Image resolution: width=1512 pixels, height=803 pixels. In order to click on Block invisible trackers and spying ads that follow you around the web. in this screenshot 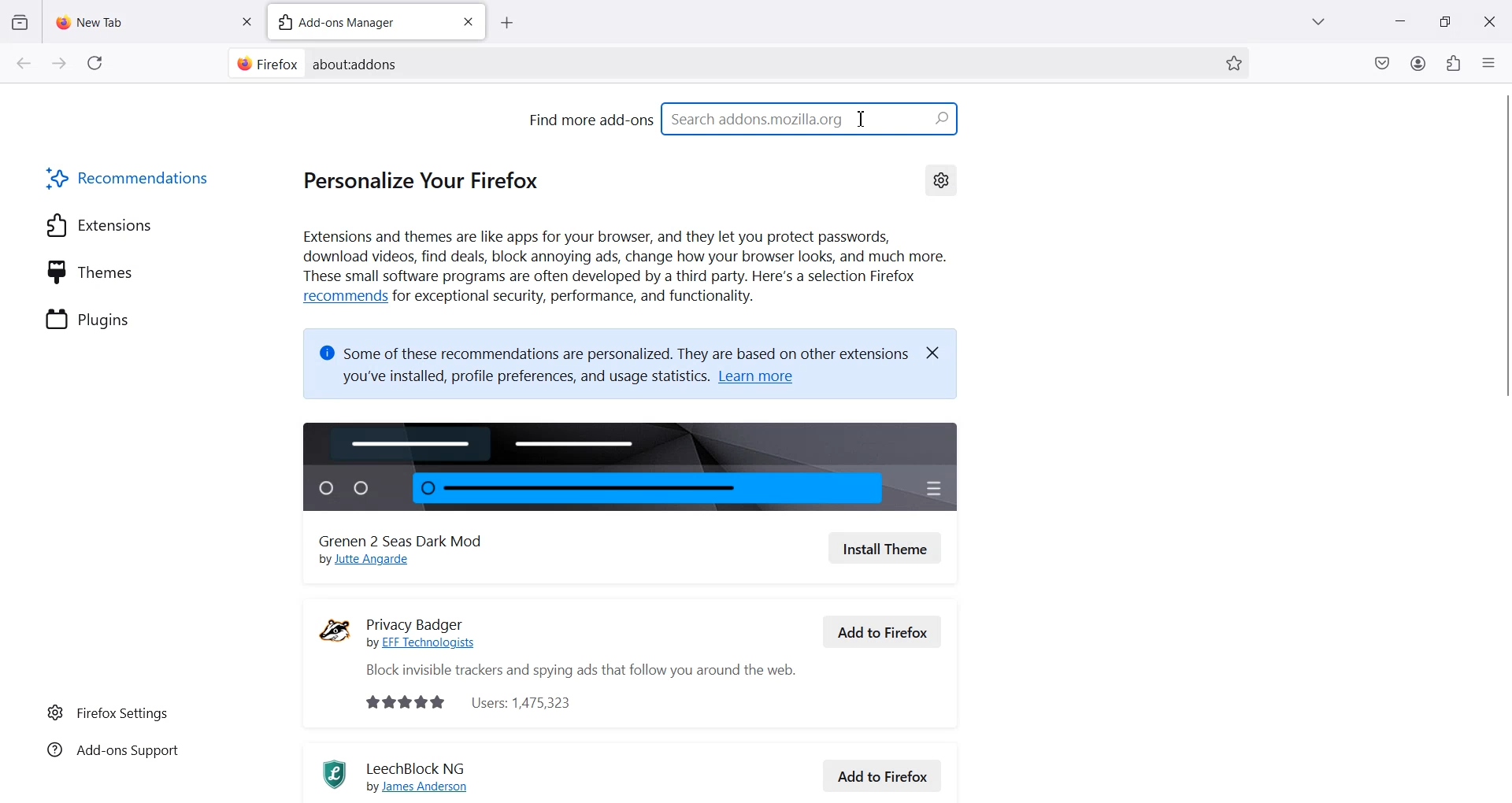, I will do `click(571, 671)`.